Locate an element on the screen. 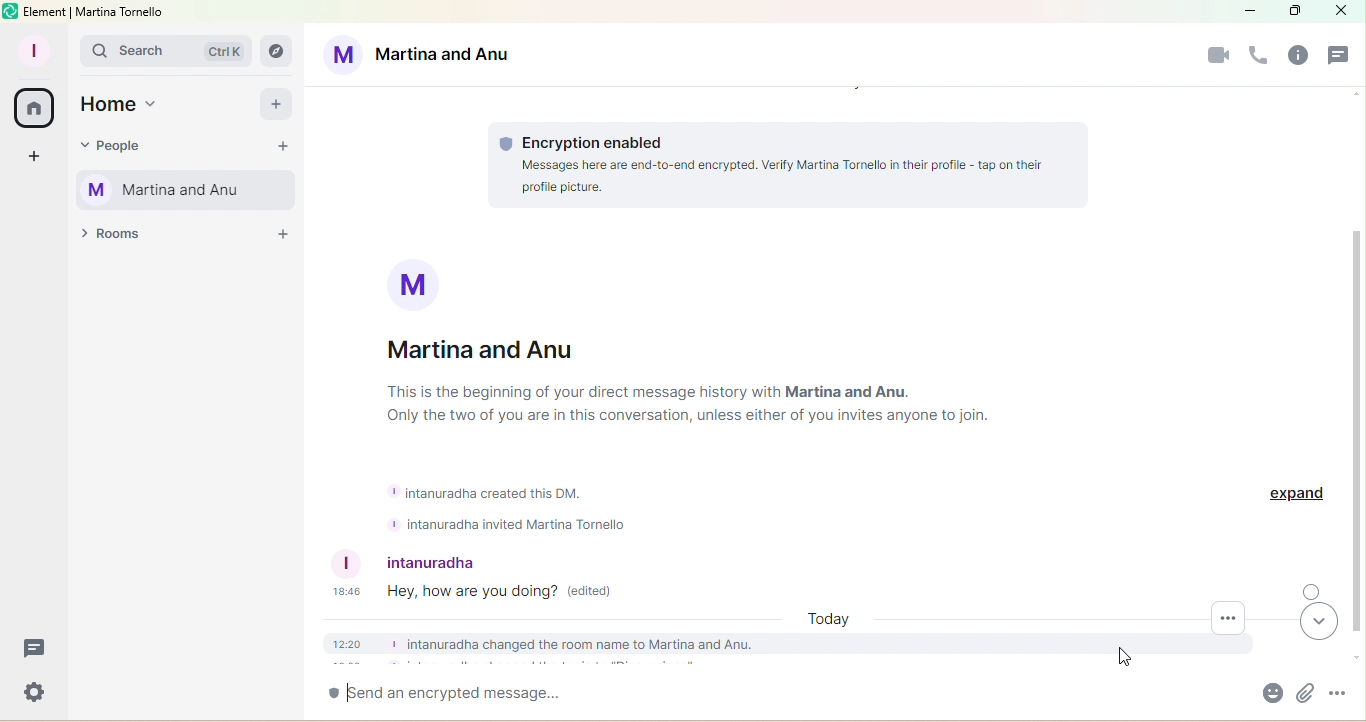 The image size is (1366, 722). Search bar is located at coordinates (165, 53).